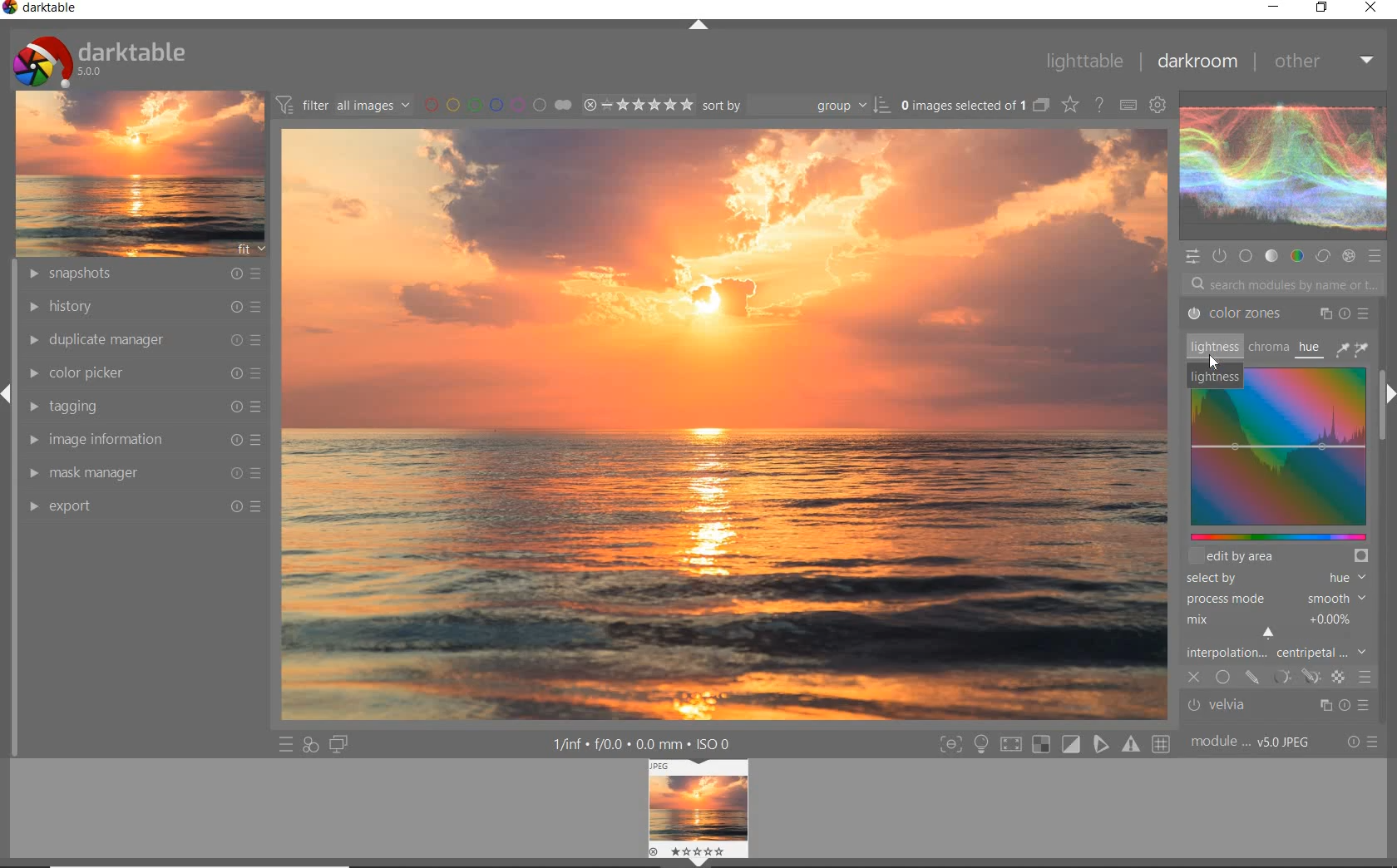  I want to click on COLOR ZONES, so click(1278, 313).